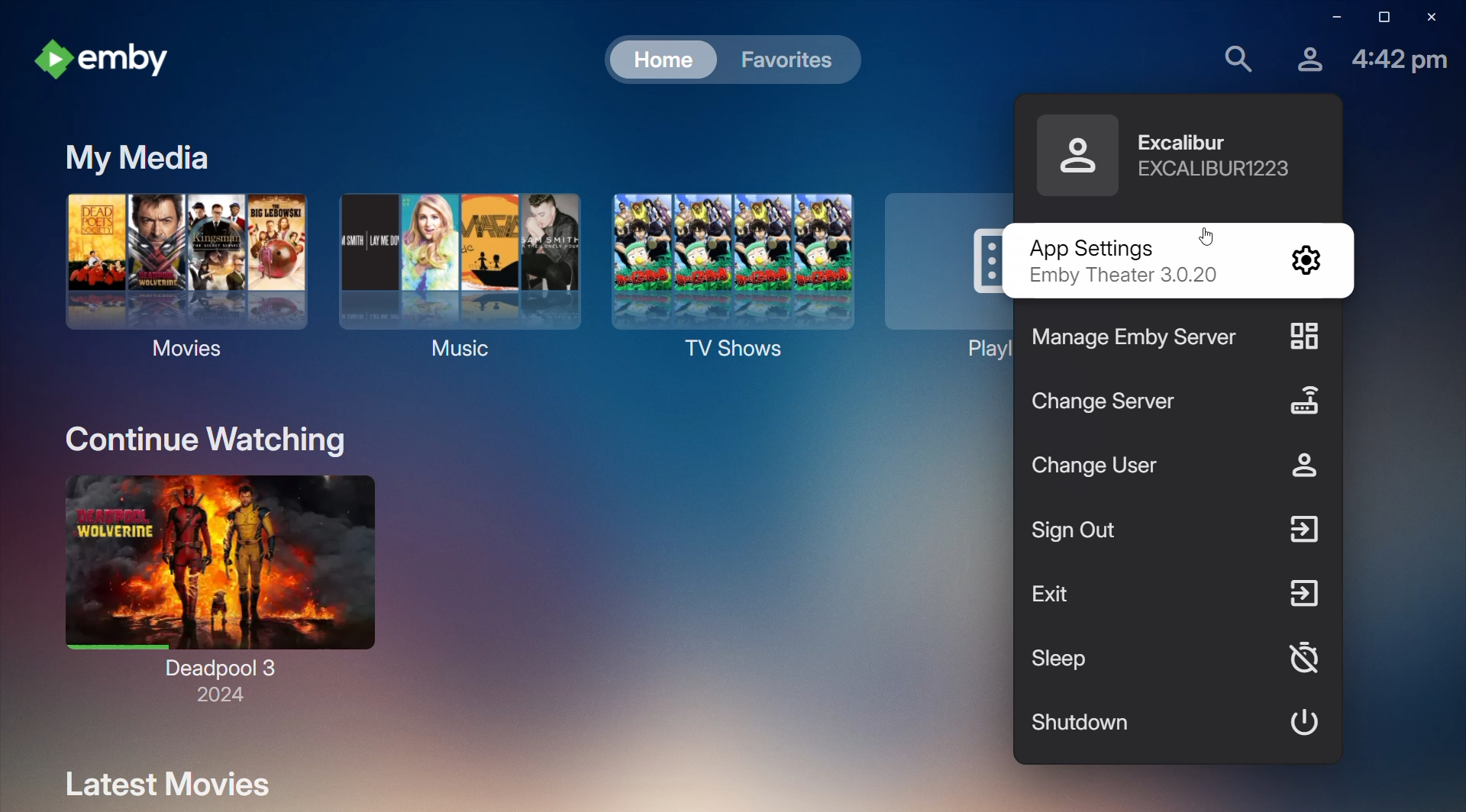 The width and height of the screenshot is (1466, 812). What do you see at coordinates (1235, 57) in the screenshot?
I see `Find` at bounding box center [1235, 57].